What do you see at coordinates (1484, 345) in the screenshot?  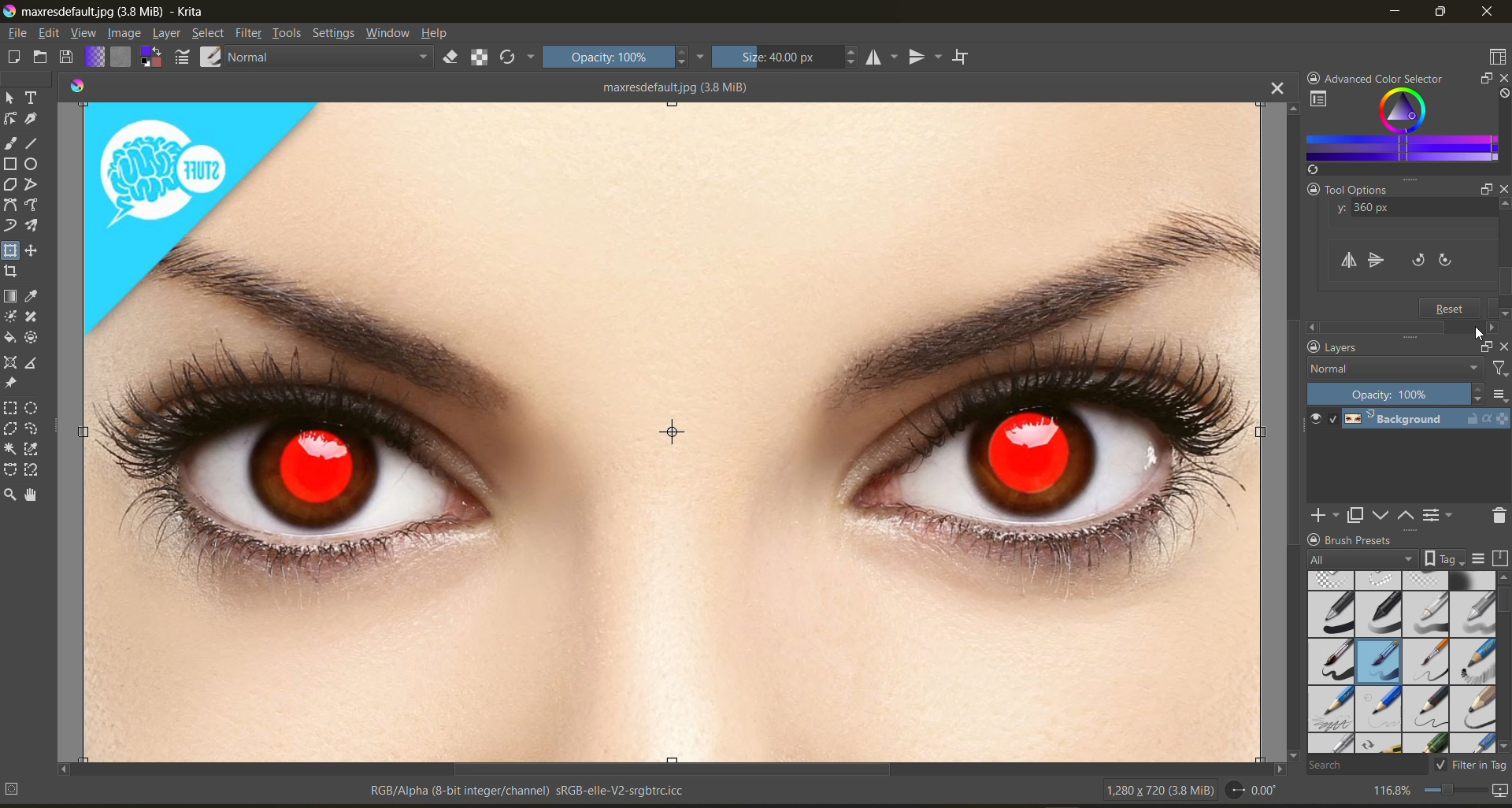 I see `float docker` at bounding box center [1484, 345].